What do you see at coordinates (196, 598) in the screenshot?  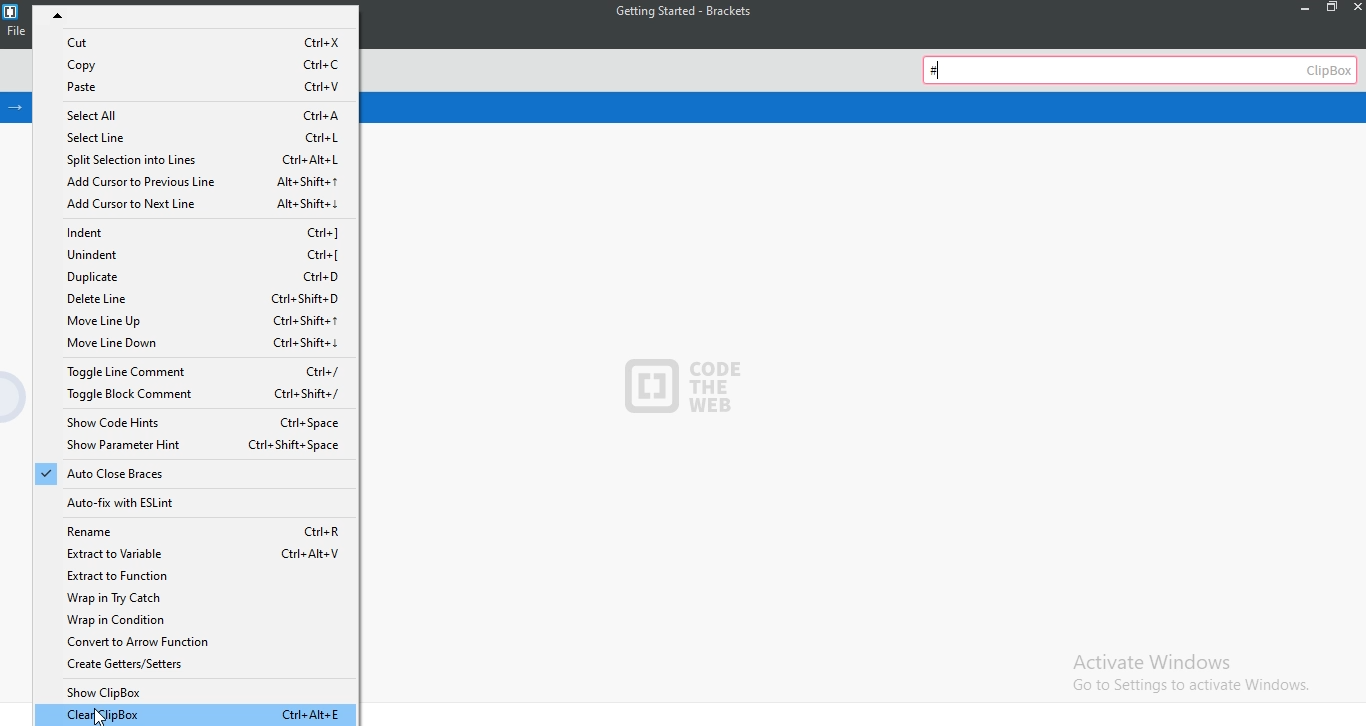 I see `Wrap in Try Catch` at bounding box center [196, 598].